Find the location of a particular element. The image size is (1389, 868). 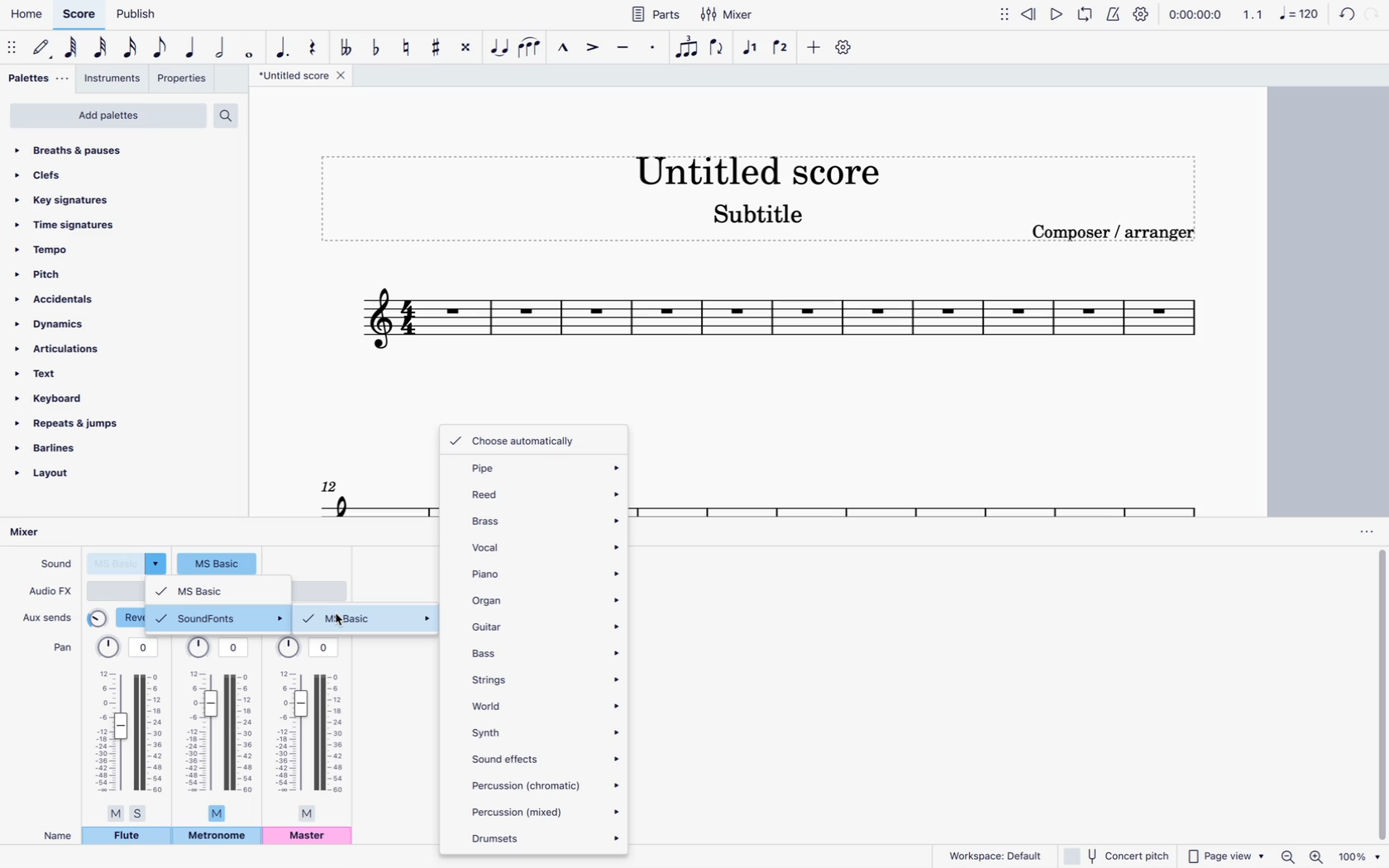

barlines is located at coordinates (69, 451).